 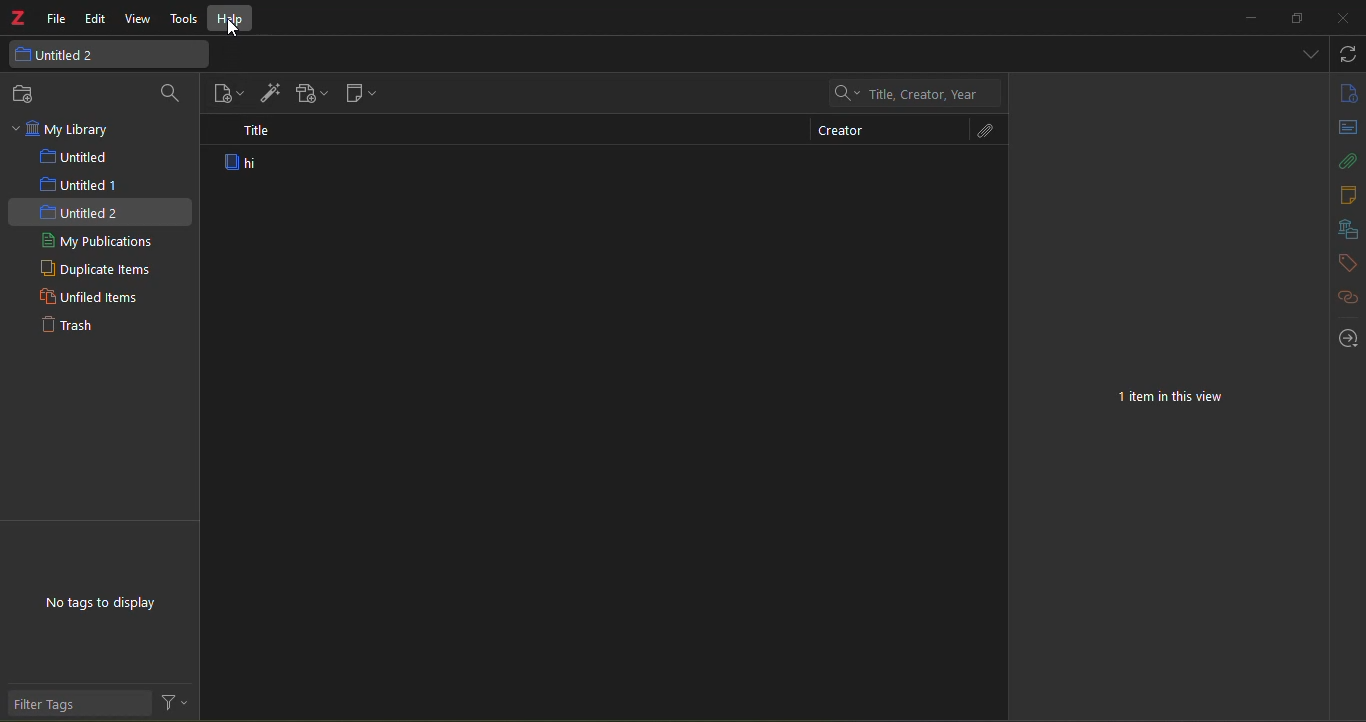 I want to click on info, so click(x=1348, y=93).